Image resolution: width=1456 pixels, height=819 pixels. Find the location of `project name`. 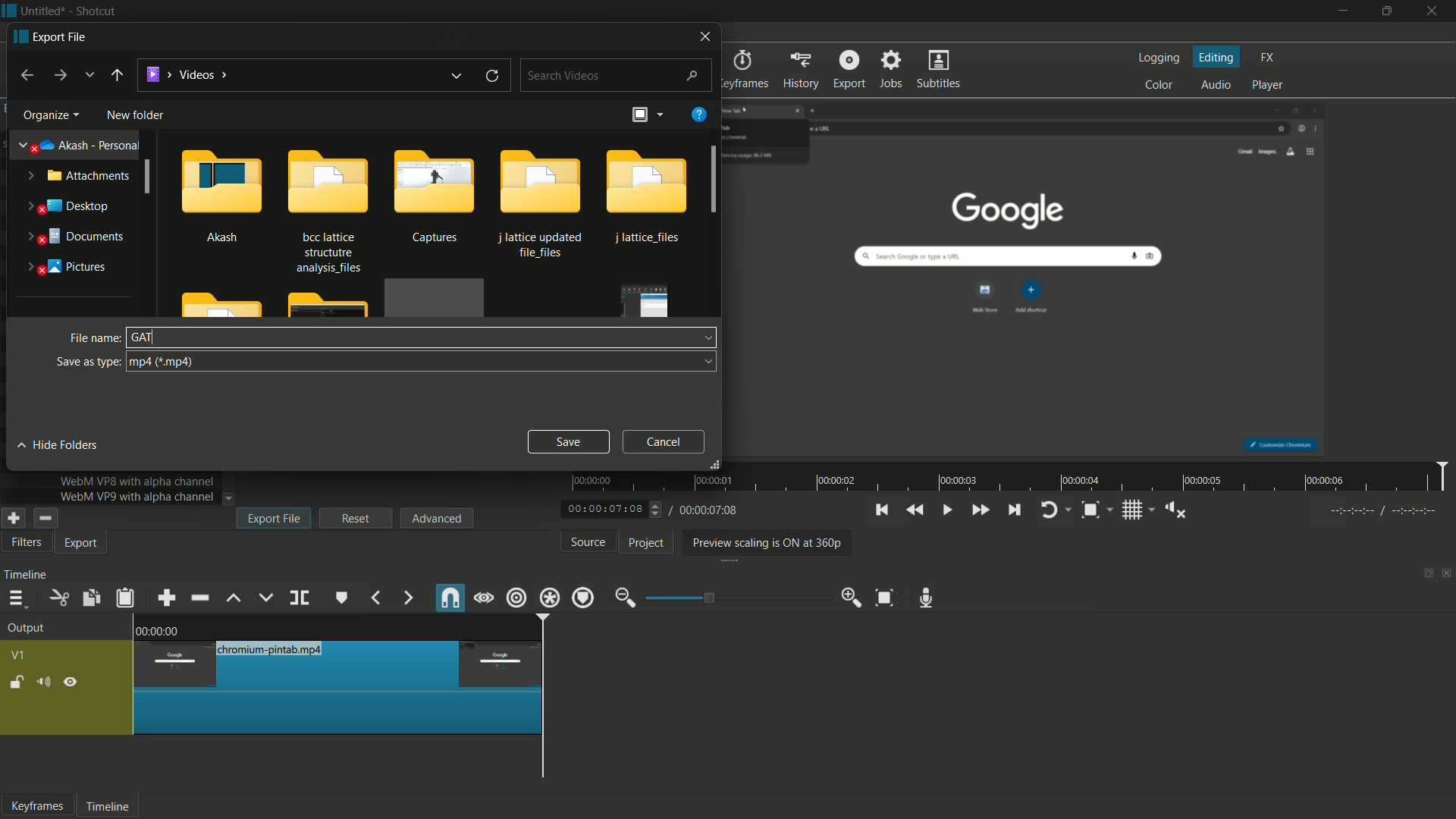

project name is located at coordinates (41, 11).